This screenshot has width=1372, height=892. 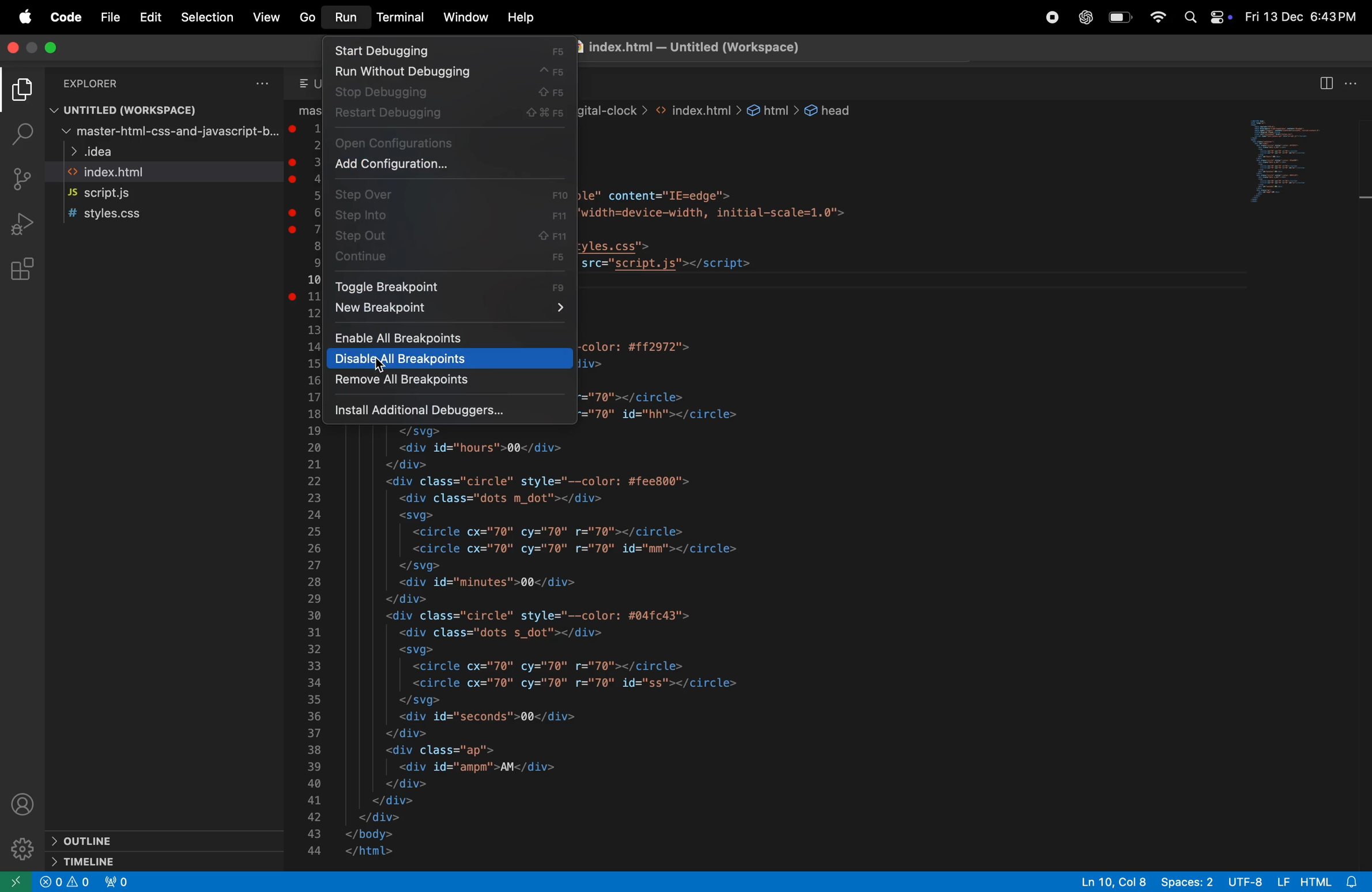 I want to click on Selection, so click(x=209, y=17).